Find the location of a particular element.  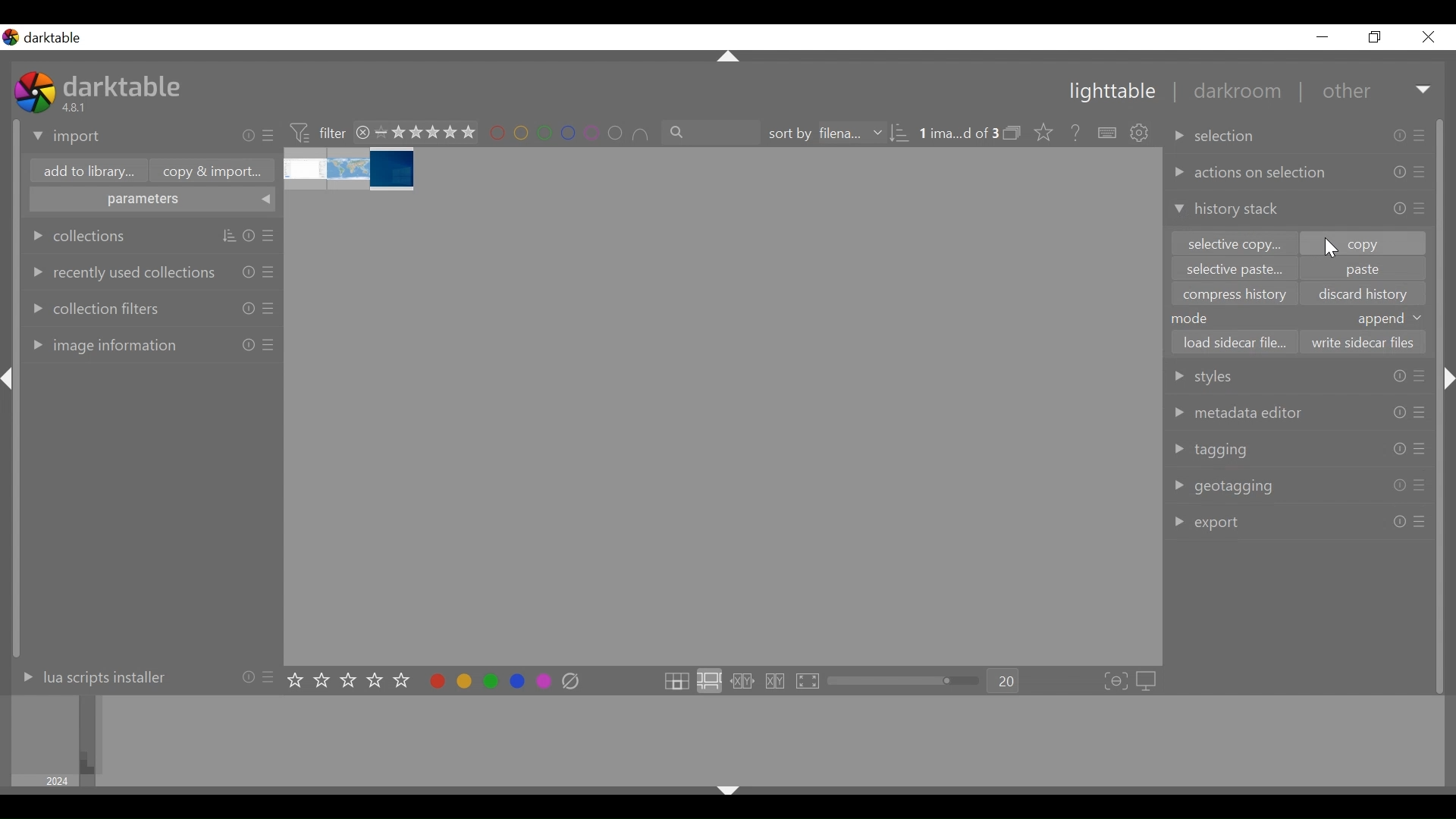

filter by color label is located at coordinates (570, 134).